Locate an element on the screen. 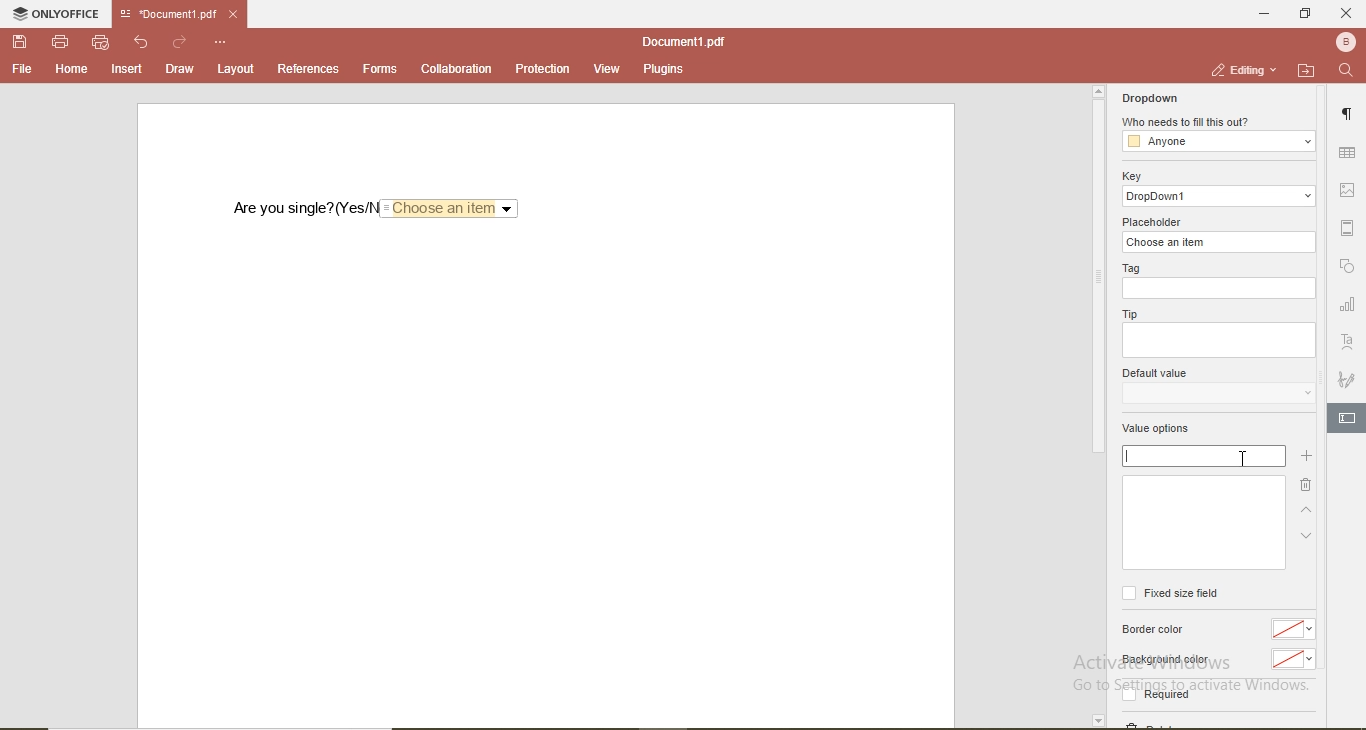 The width and height of the screenshot is (1366, 730). background color is located at coordinates (1170, 660).